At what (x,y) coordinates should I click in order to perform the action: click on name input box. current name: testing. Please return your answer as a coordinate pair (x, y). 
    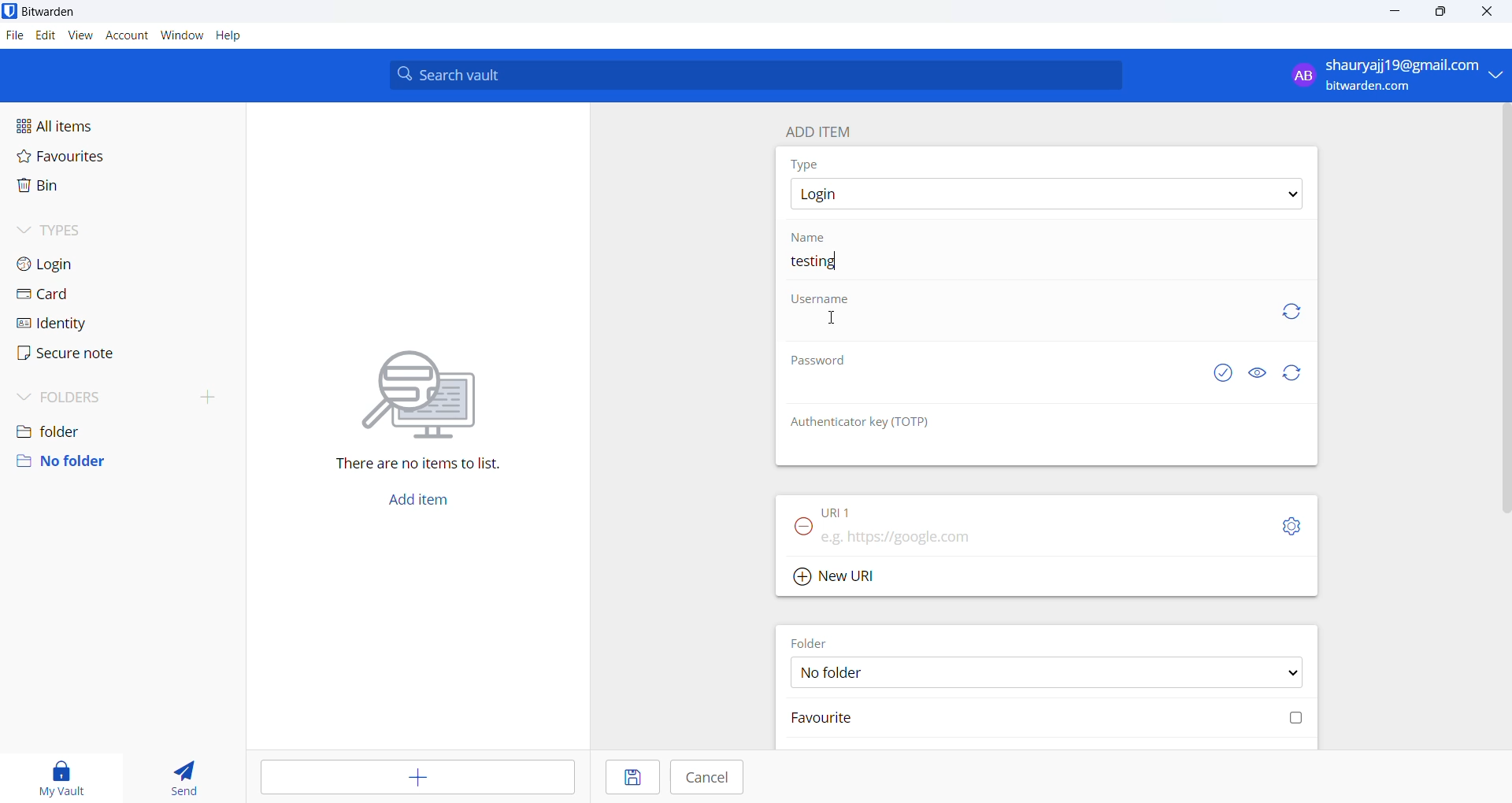
    Looking at the image, I should click on (1048, 265).